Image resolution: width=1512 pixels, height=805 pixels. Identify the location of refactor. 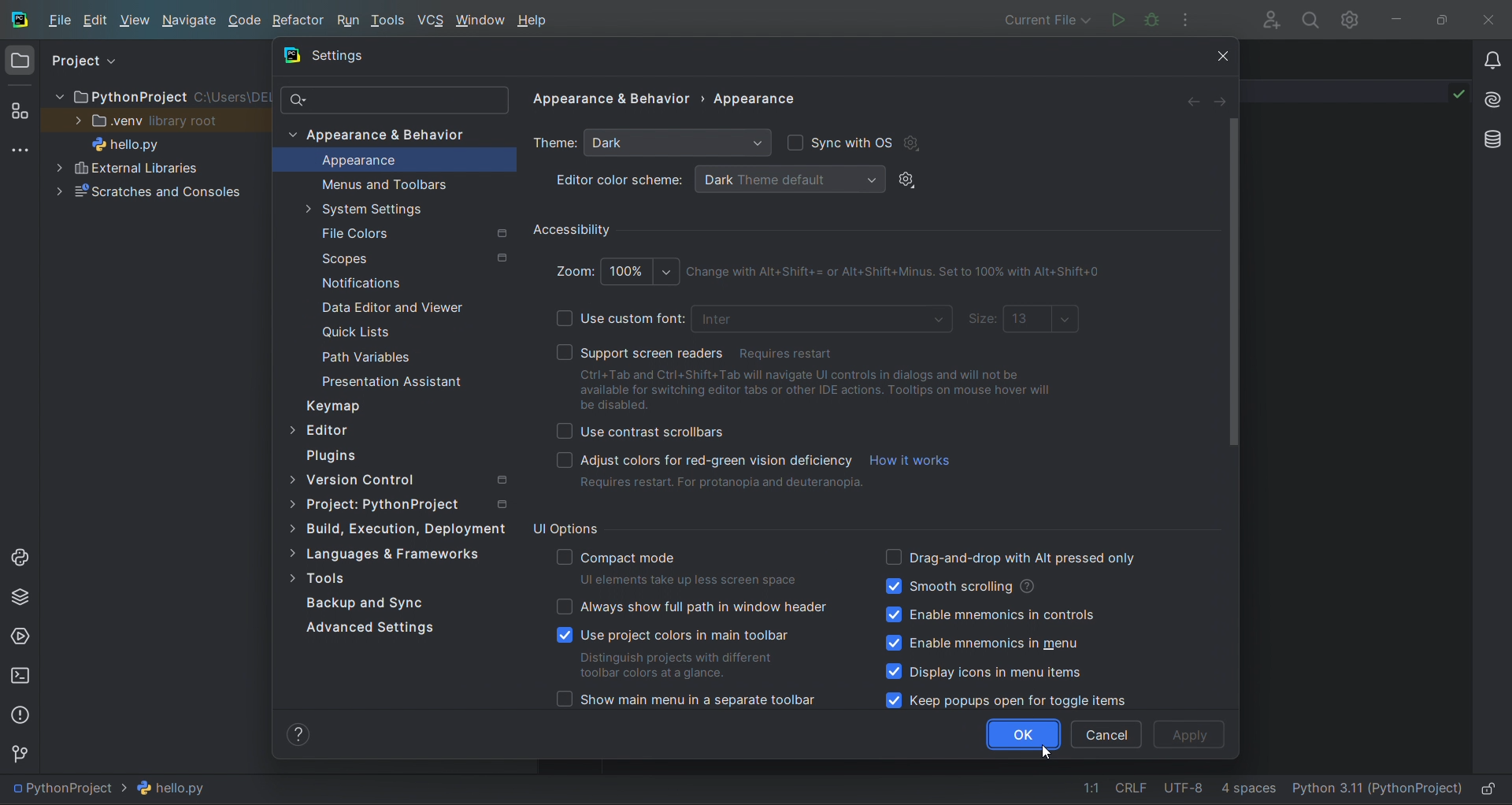
(292, 22).